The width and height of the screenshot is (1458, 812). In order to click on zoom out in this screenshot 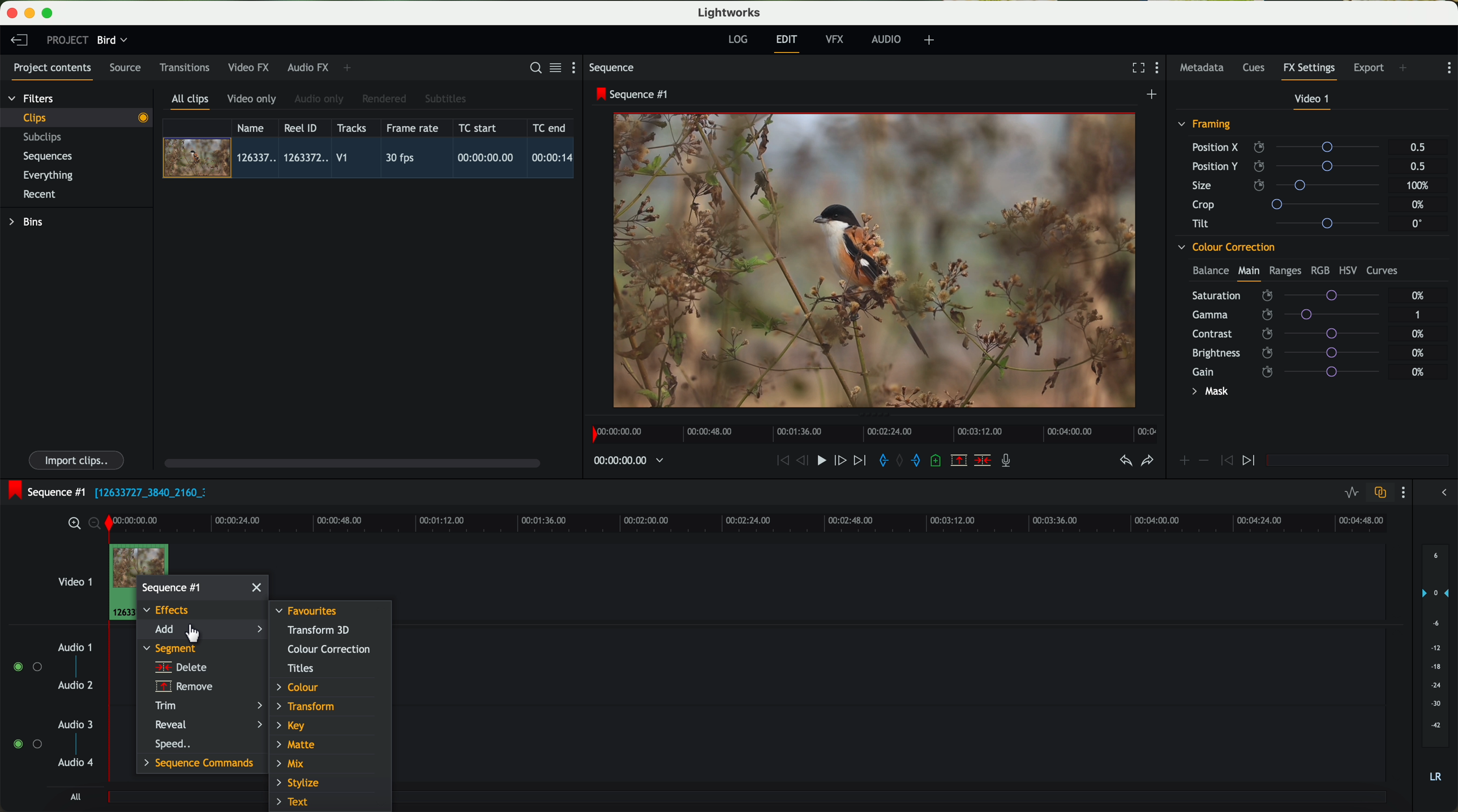, I will do `click(96, 525)`.